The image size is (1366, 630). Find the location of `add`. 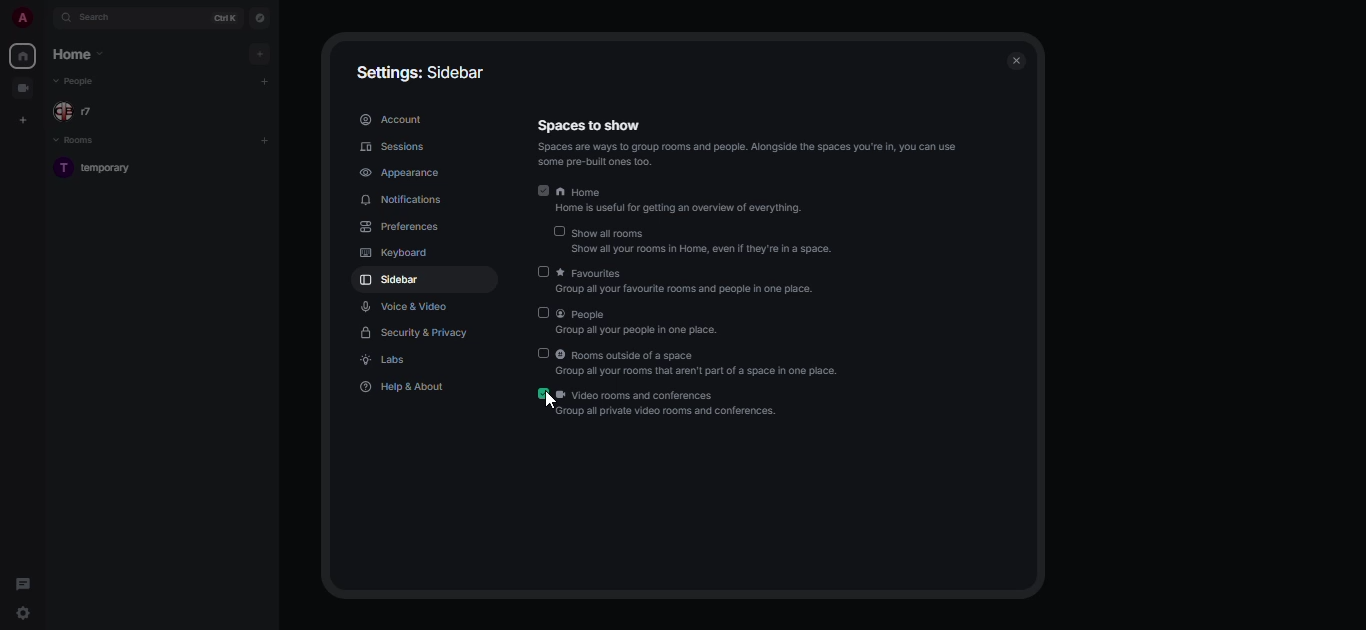

add is located at coordinates (263, 140).